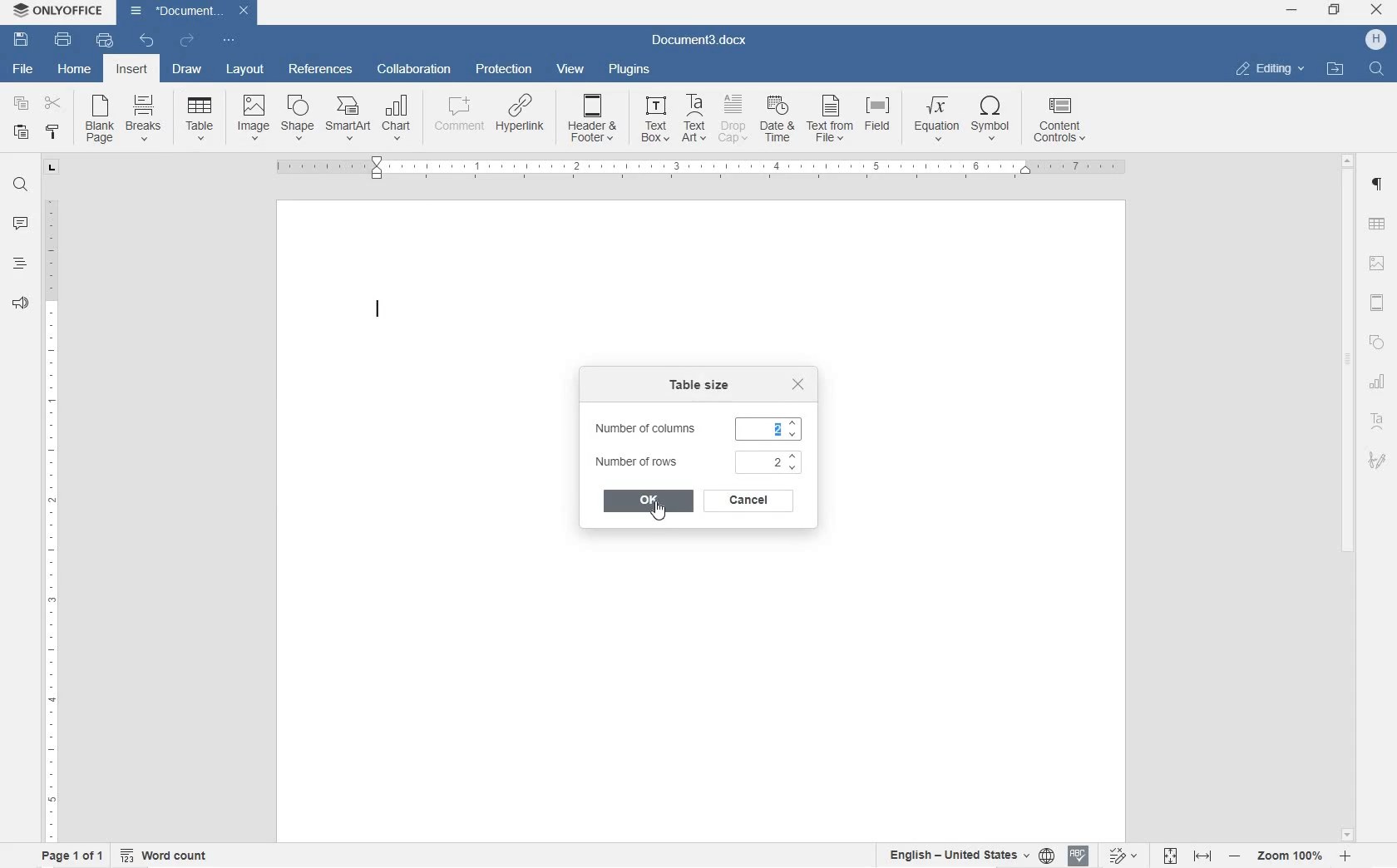  Describe the element at coordinates (456, 118) in the screenshot. I see `comment` at that location.